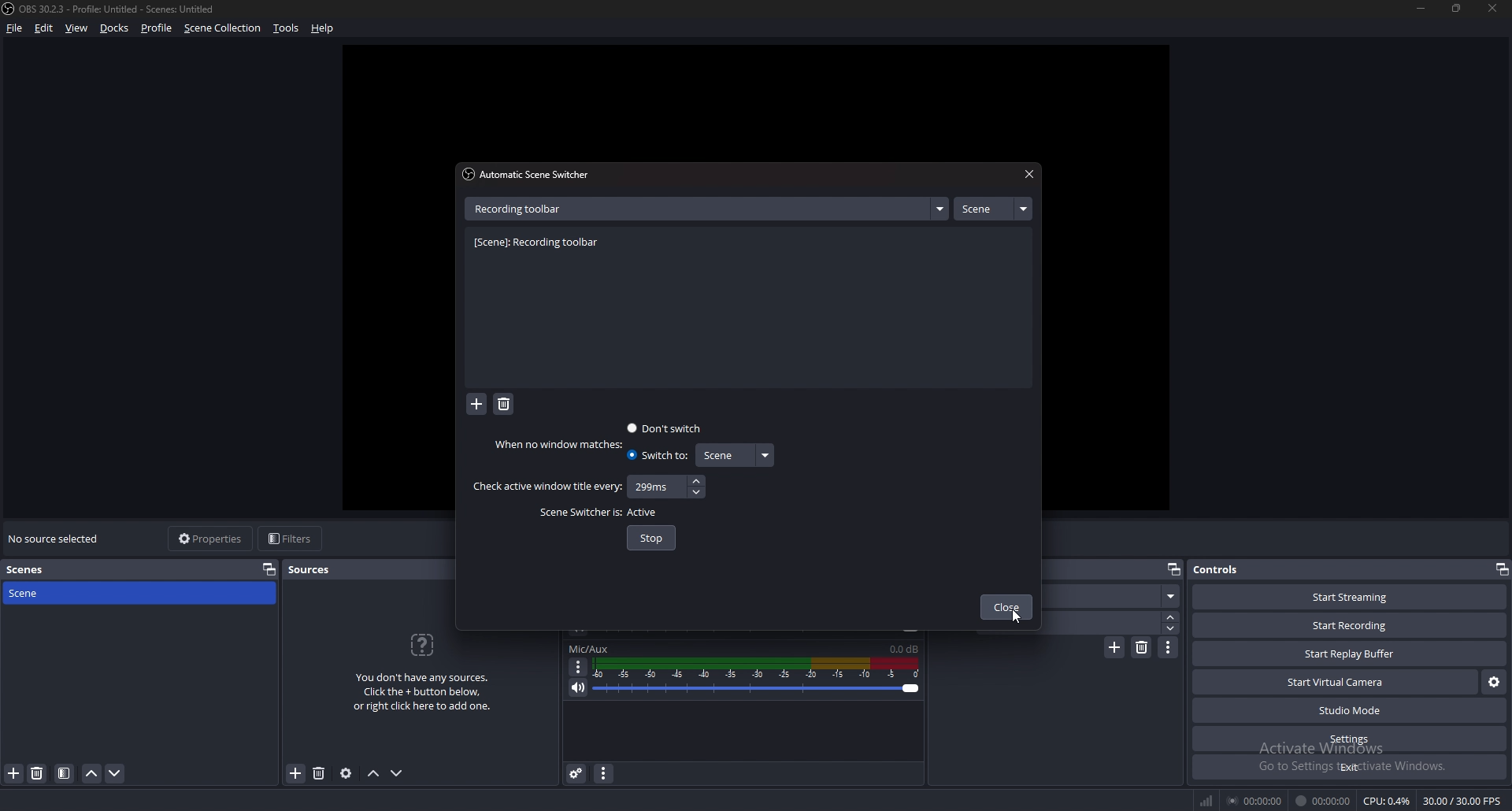  What do you see at coordinates (696, 481) in the screenshot?
I see `increase time` at bounding box center [696, 481].